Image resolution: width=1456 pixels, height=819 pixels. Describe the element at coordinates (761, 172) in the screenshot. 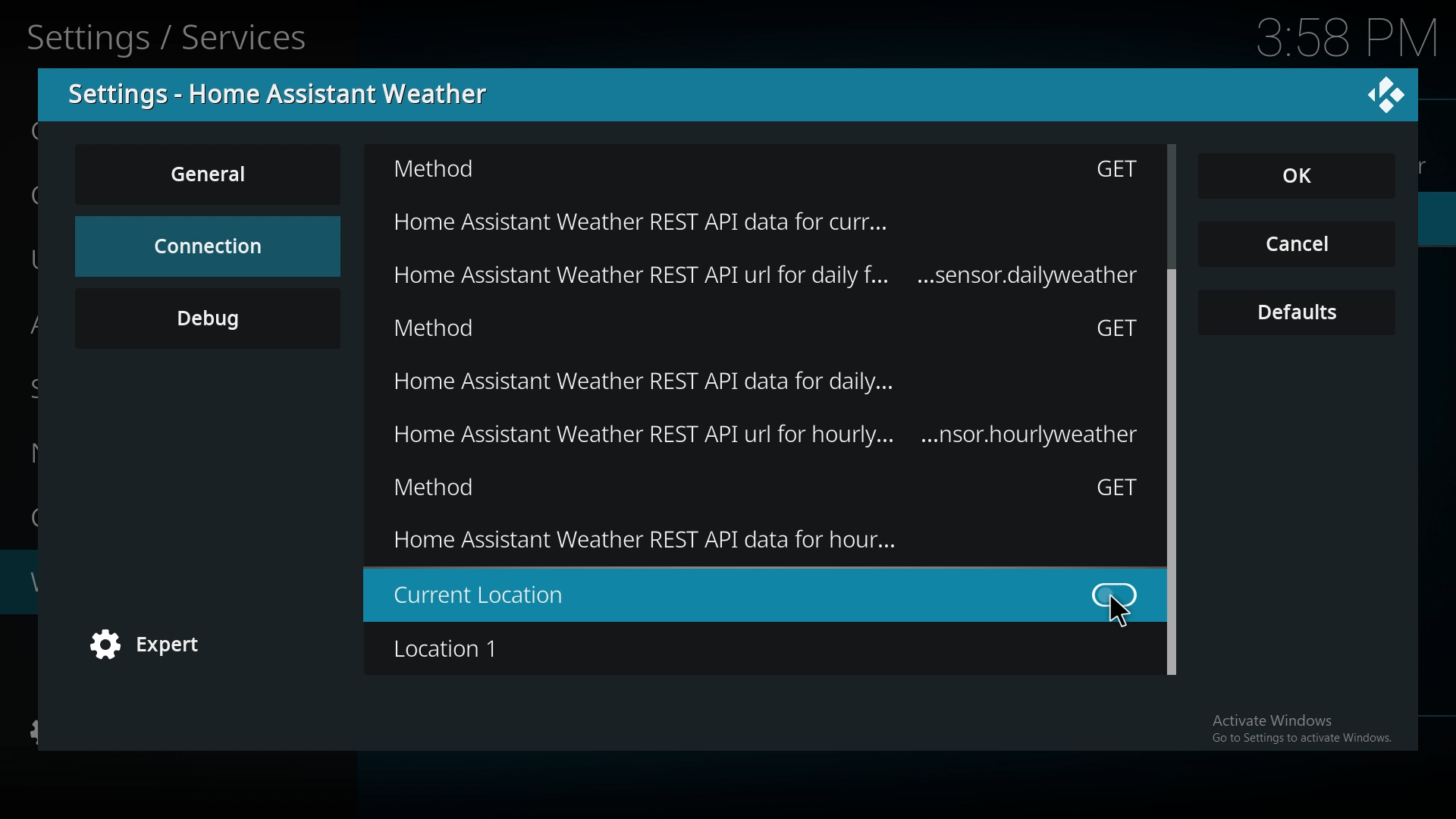

I see `Method` at that location.